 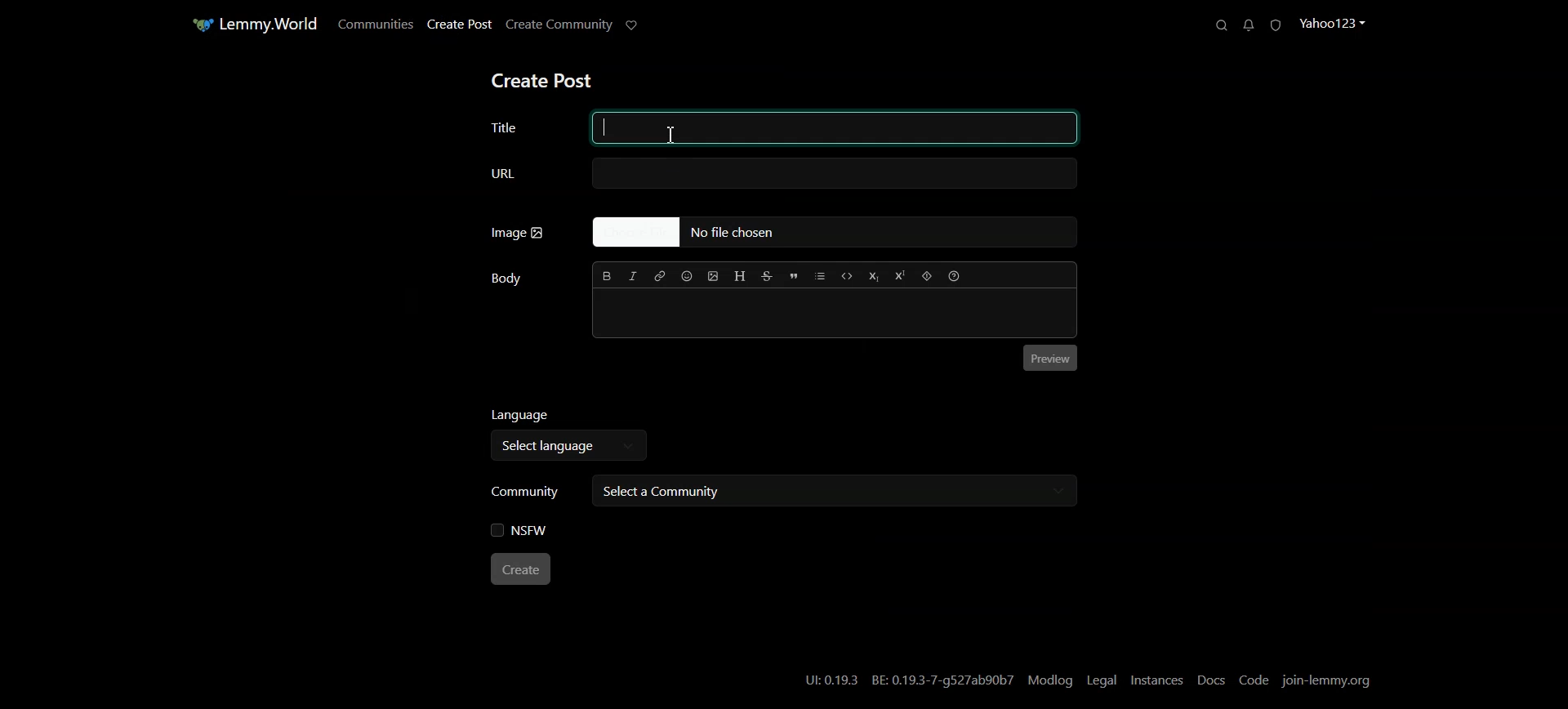 I want to click on Unread Report, so click(x=1280, y=25).